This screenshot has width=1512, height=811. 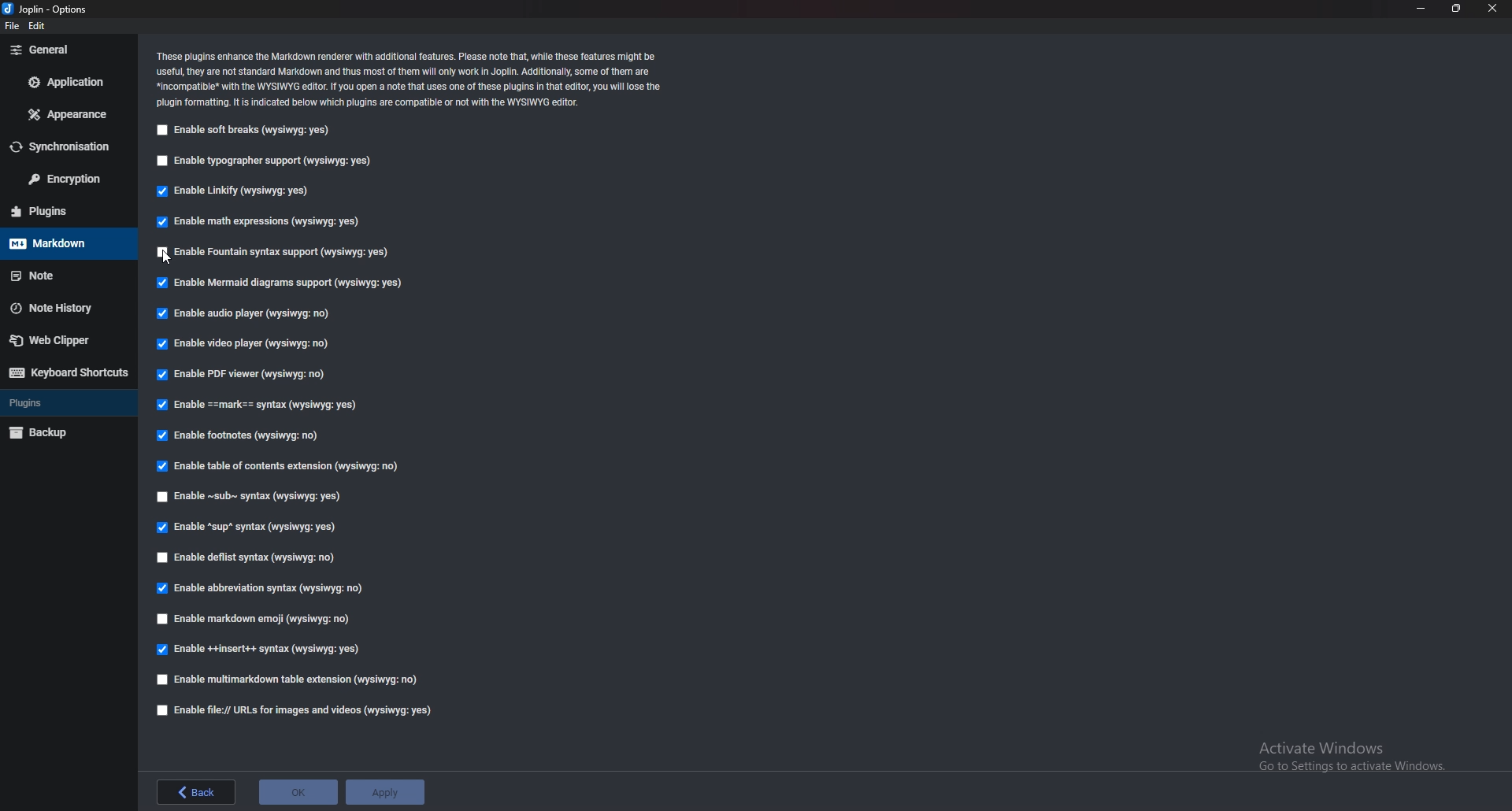 I want to click on note, so click(x=61, y=276).